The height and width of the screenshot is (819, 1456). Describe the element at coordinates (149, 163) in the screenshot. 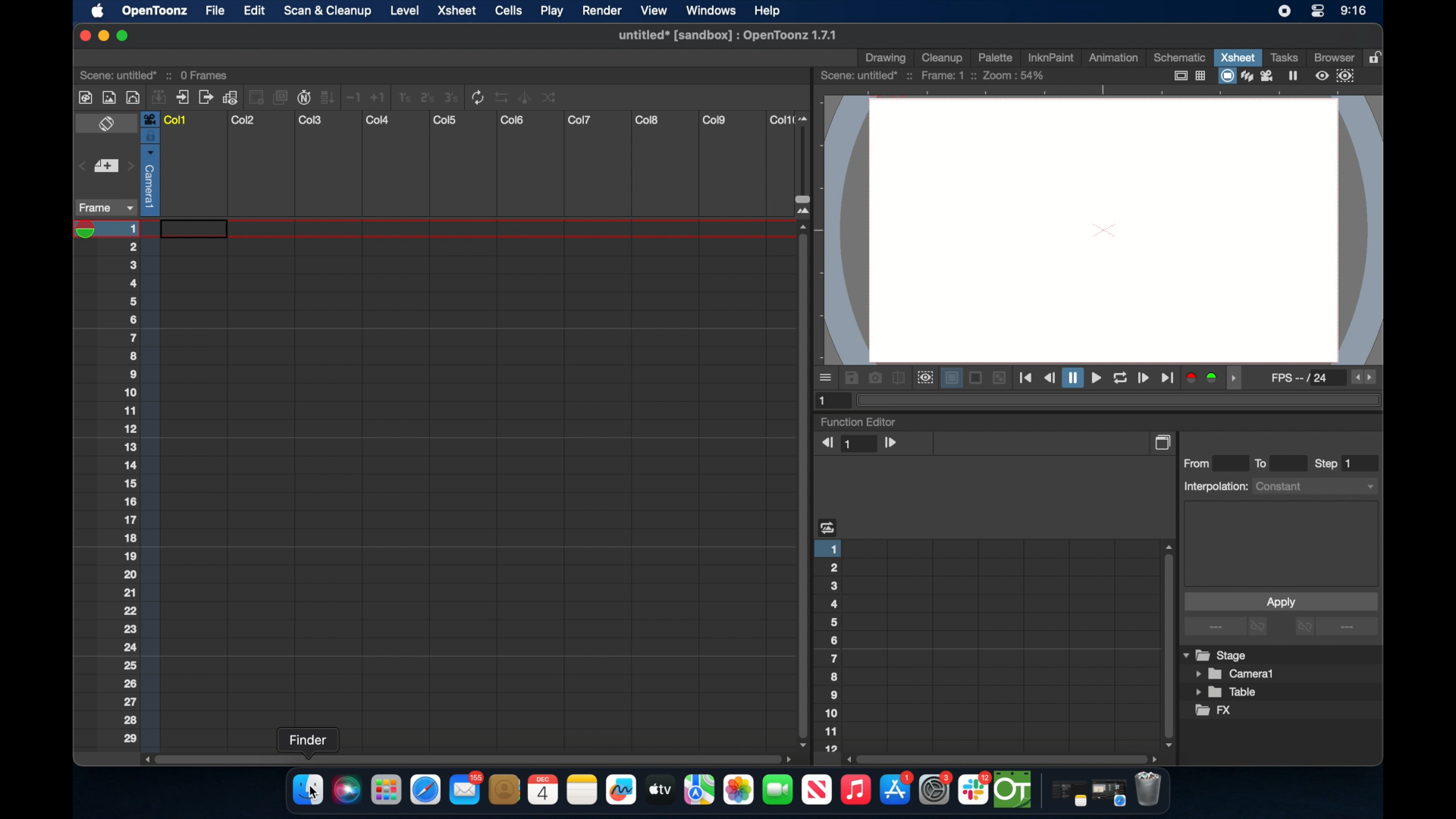

I see `column selected` at that location.